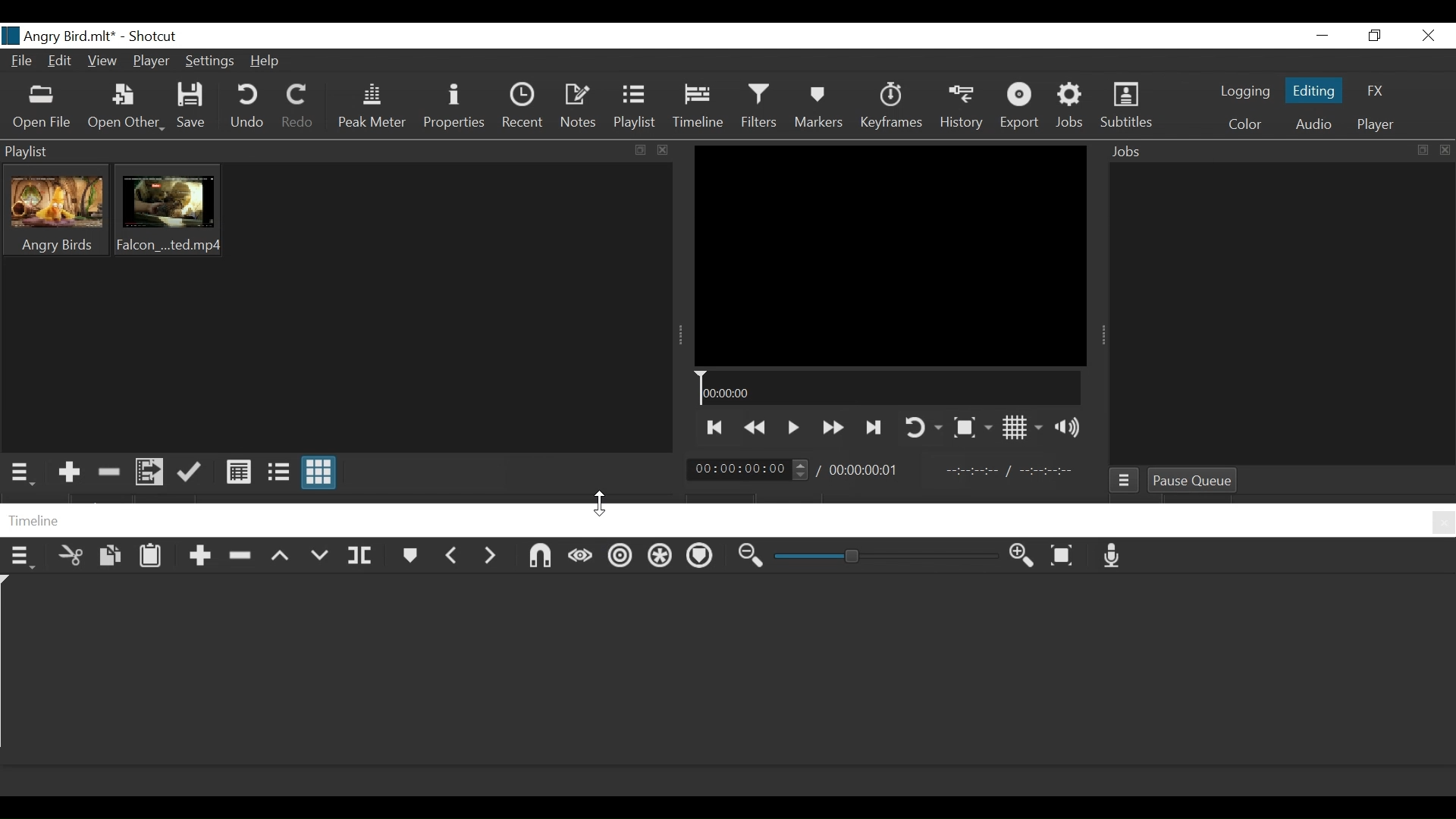 The height and width of the screenshot is (819, 1456). What do you see at coordinates (247, 108) in the screenshot?
I see `Undo` at bounding box center [247, 108].